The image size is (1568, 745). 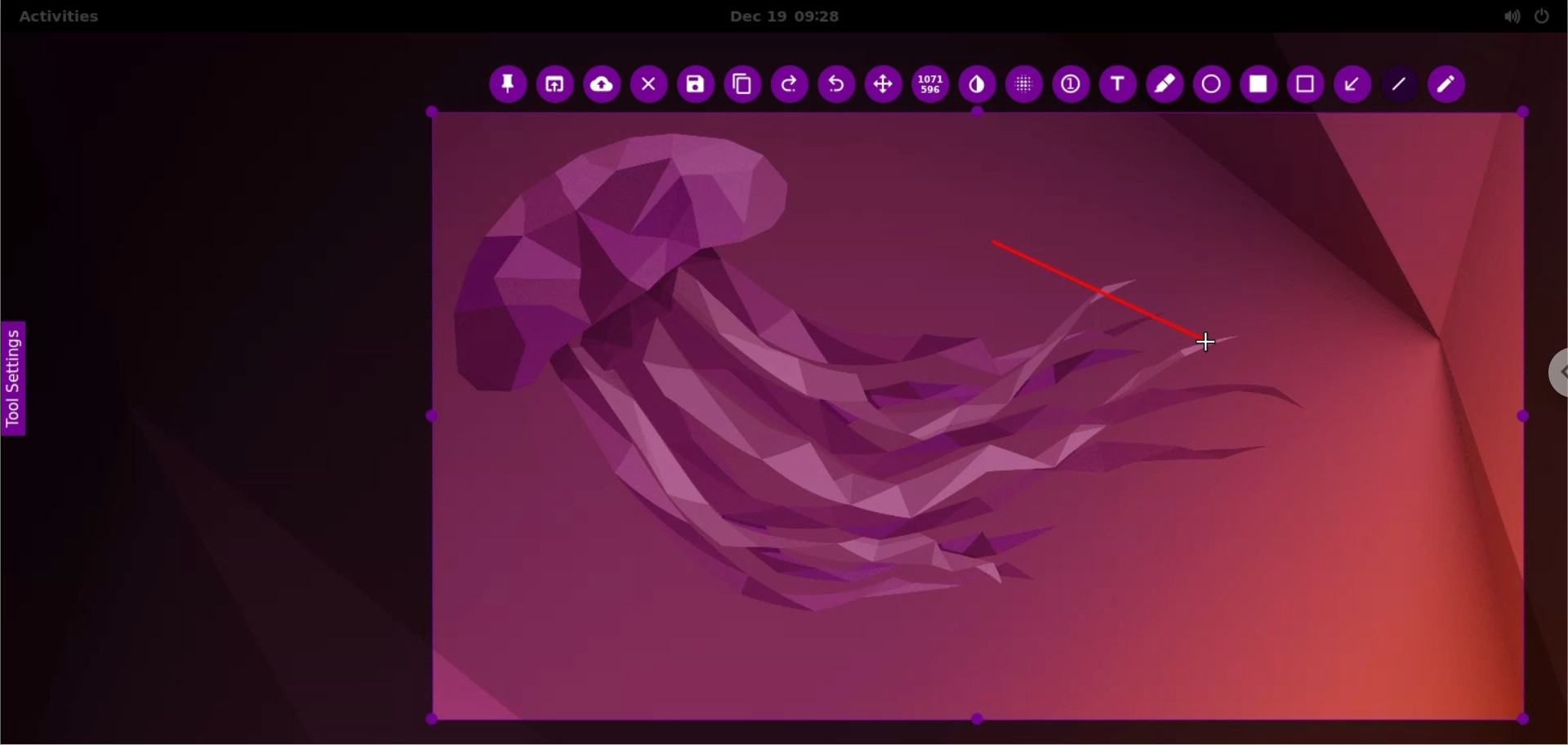 I want to click on undo, so click(x=840, y=84).